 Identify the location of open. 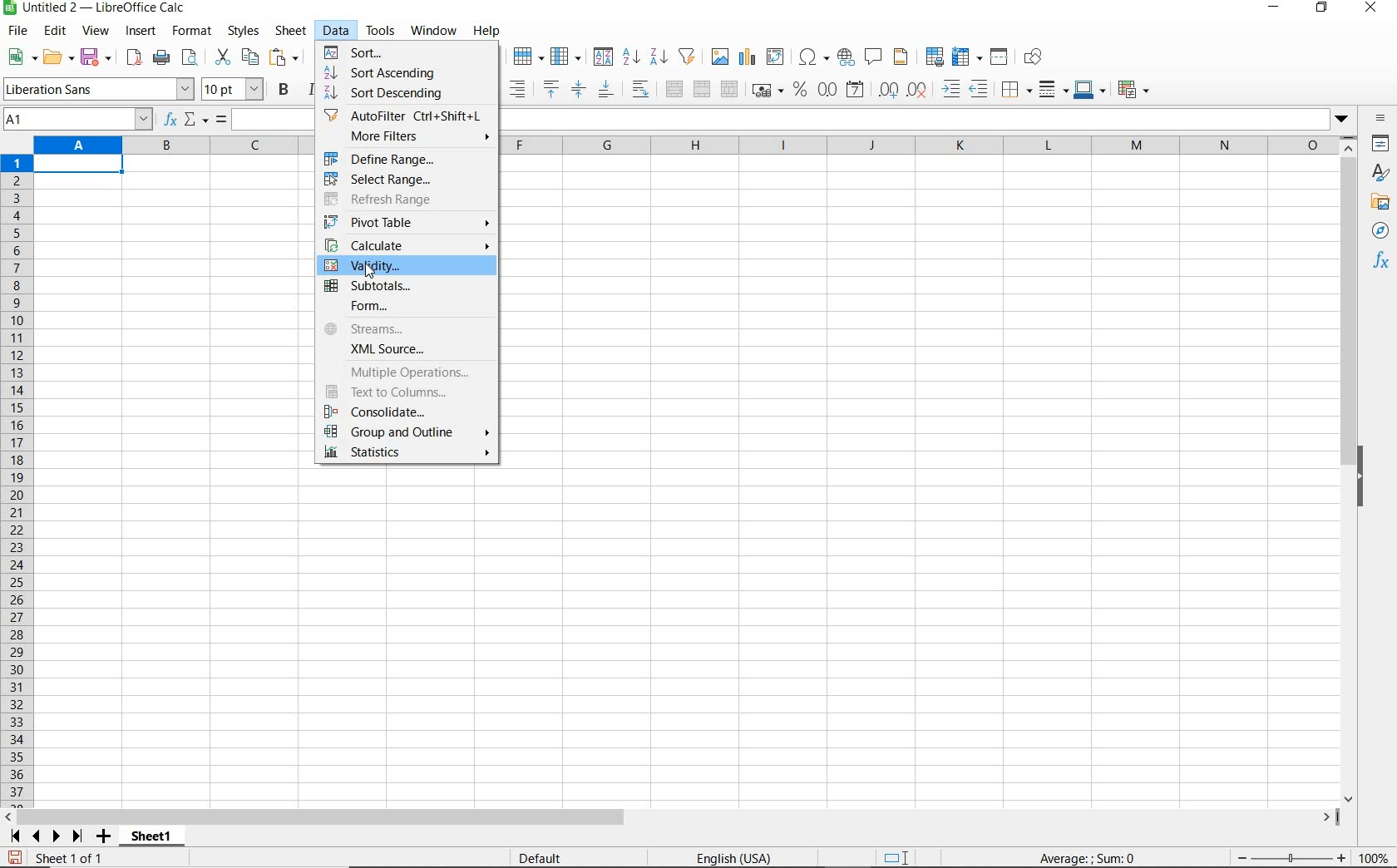
(57, 57).